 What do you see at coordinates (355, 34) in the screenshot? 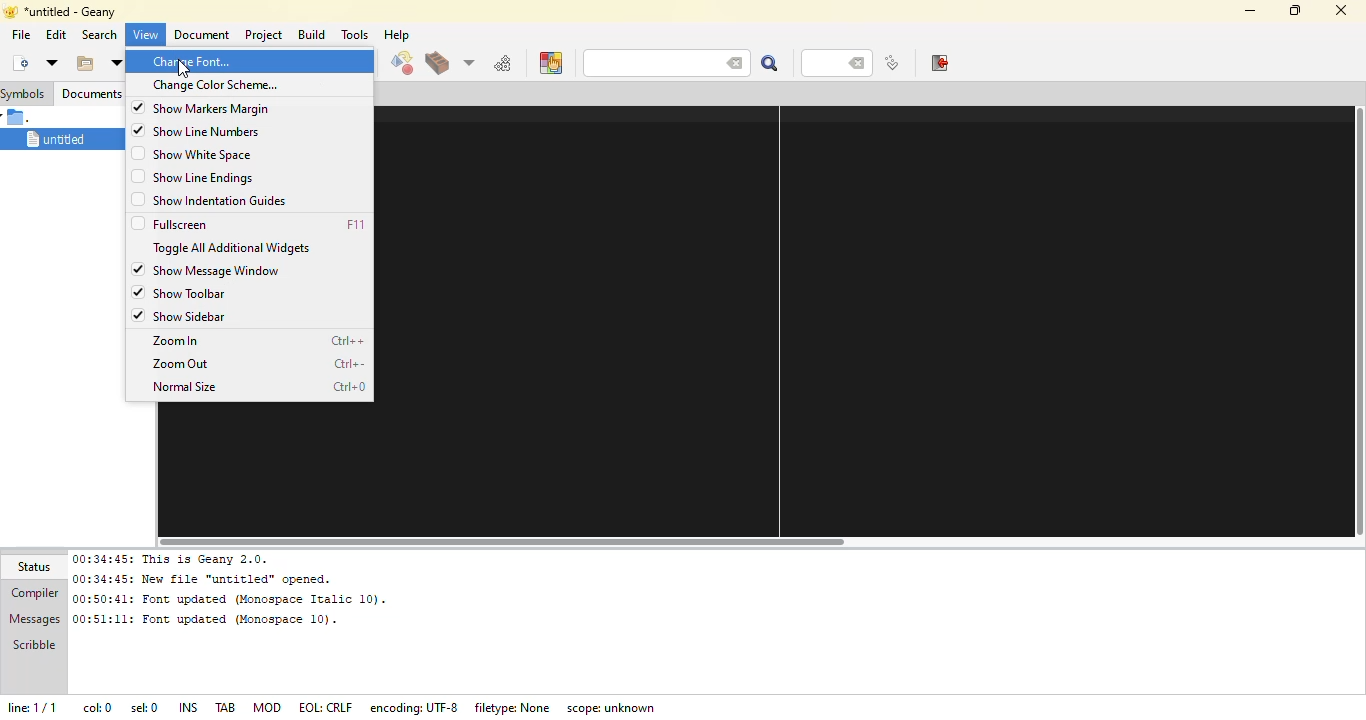
I see `tools` at bounding box center [355, 34].